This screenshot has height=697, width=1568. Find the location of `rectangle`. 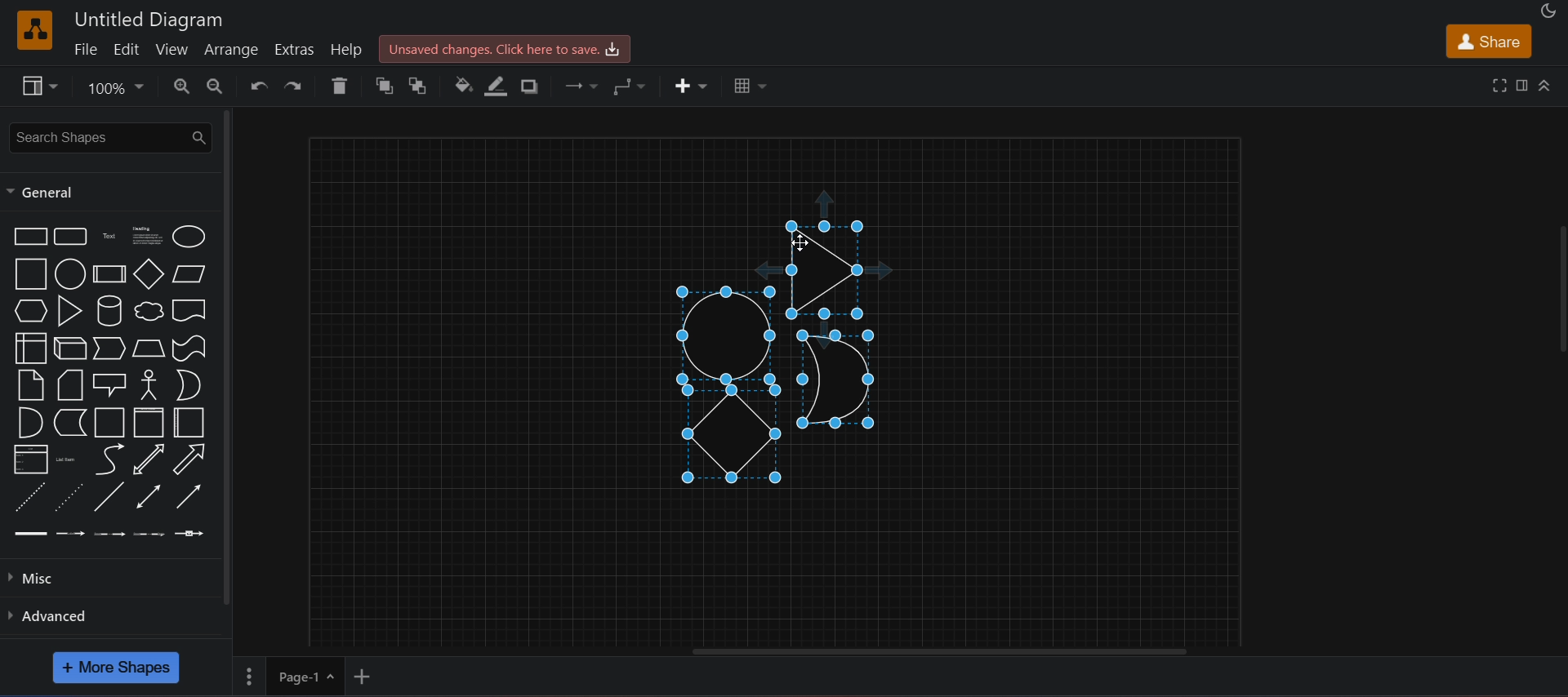

rectangle is located at coordinates (28, 236).